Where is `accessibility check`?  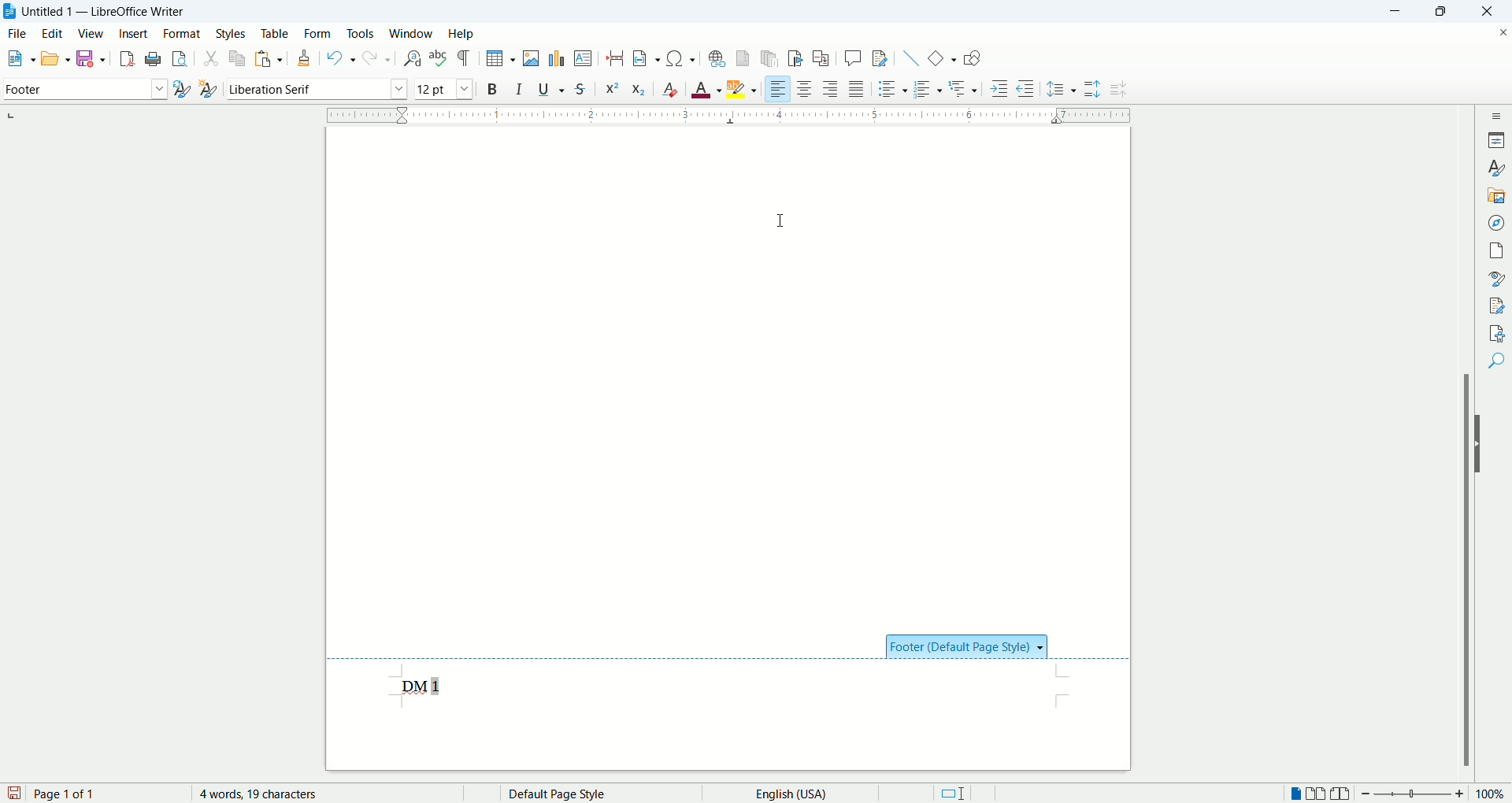
accessibility check is located at coordinates (1497, 332).